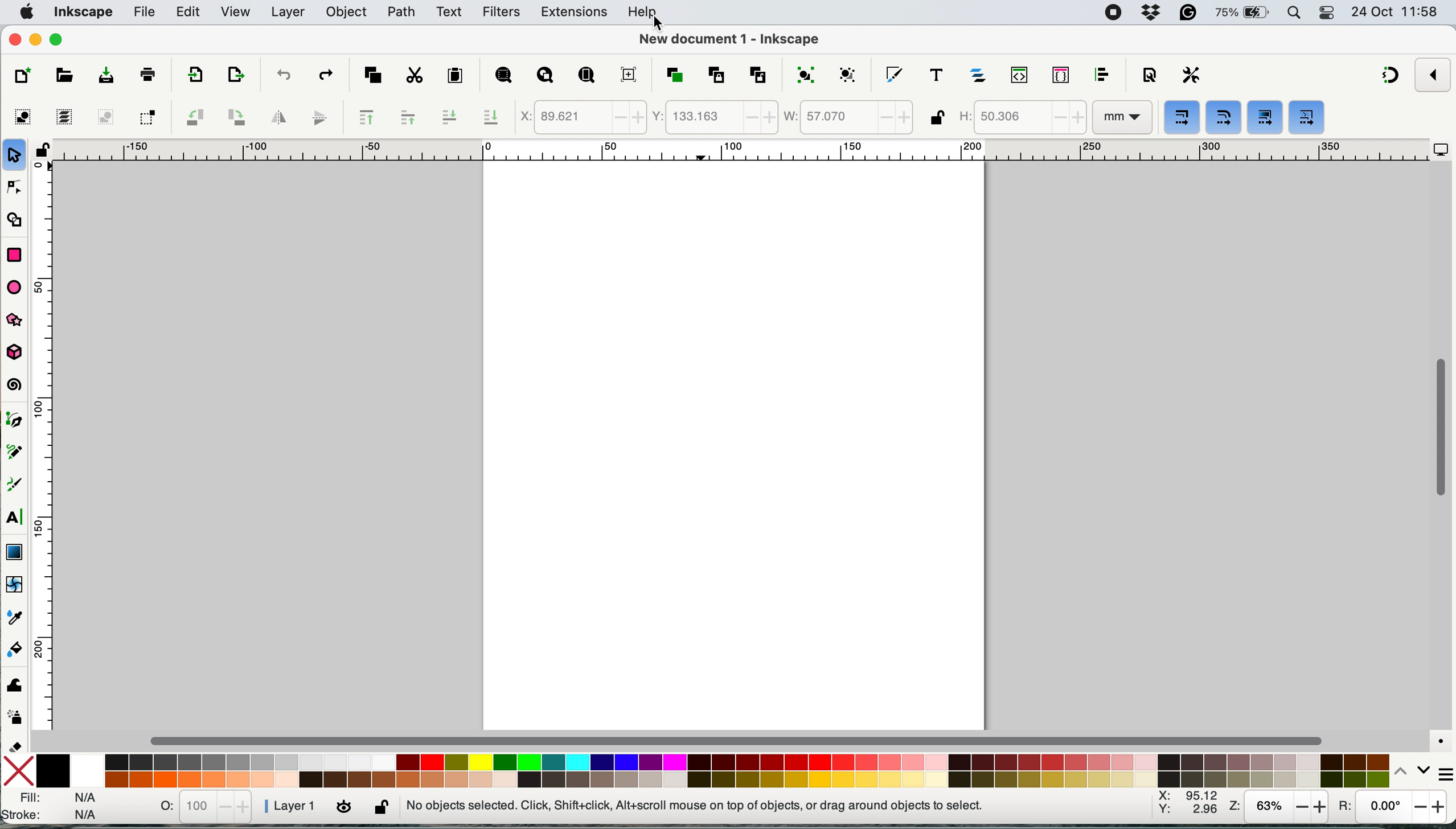 This screenshot has width=1456, height=829. Describe the element at coordinates (1147, 76) in the screenshot. I see `document properties` at that location.